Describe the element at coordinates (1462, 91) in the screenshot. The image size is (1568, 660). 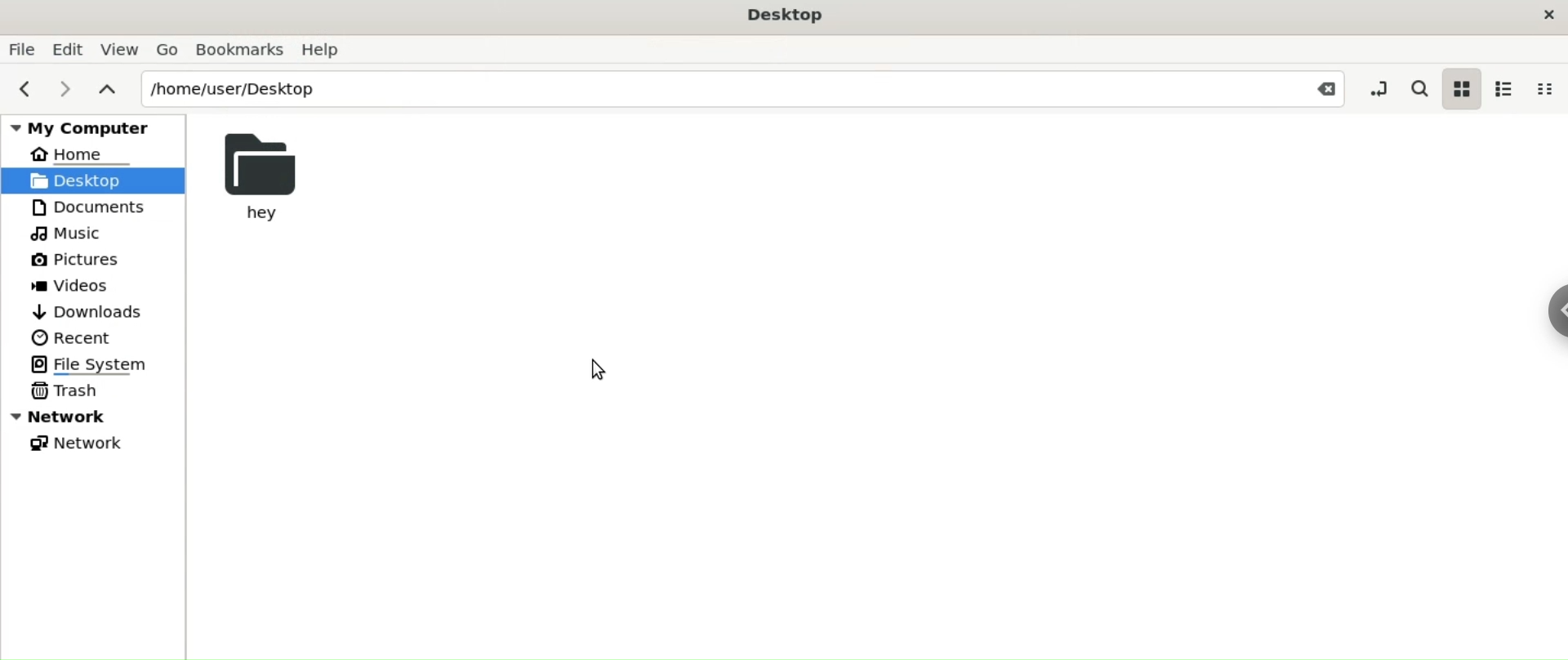
I see `icon view` at that location.